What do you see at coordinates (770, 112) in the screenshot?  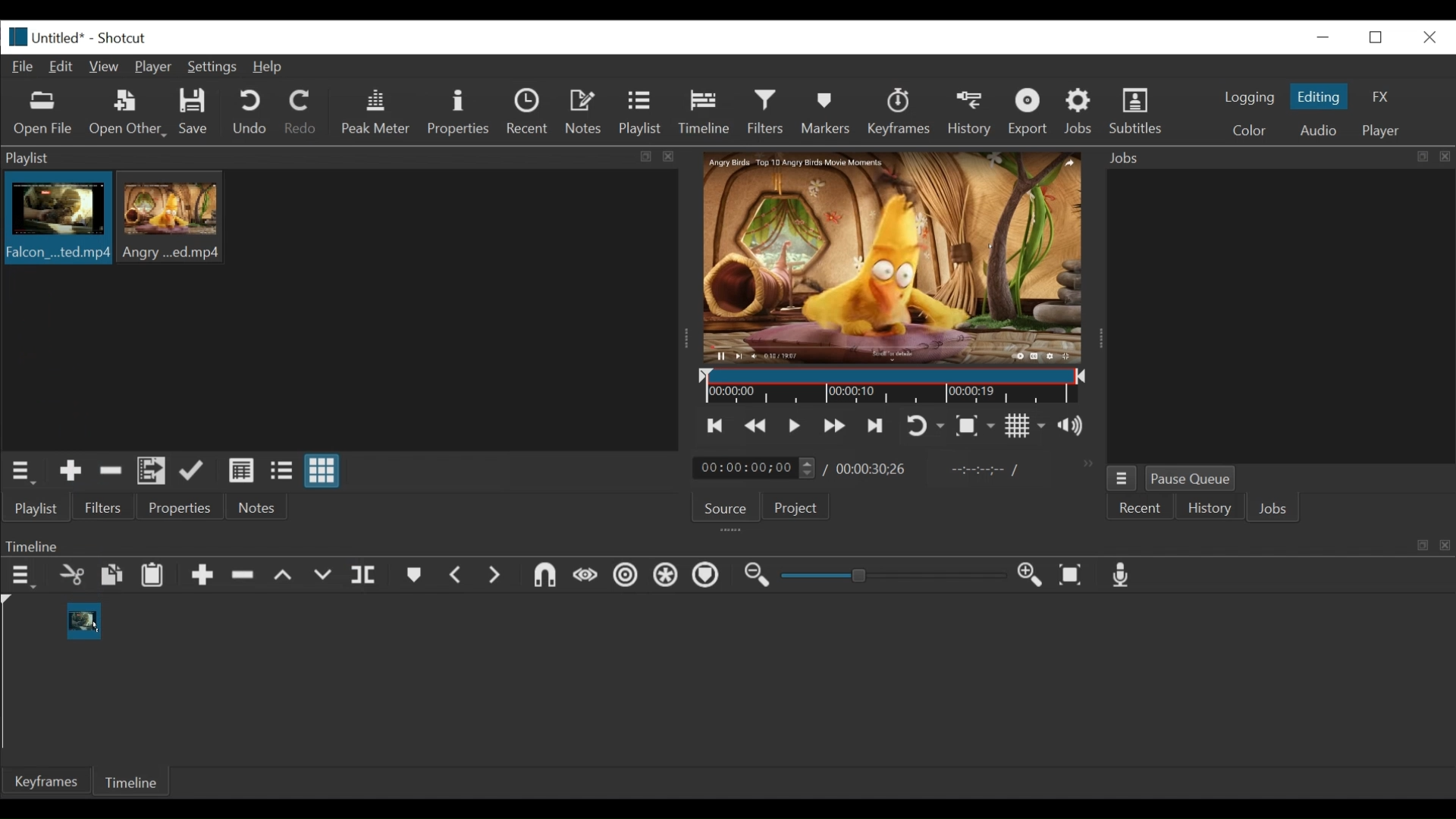 I see `Filters` at bounding box center [770, 112].